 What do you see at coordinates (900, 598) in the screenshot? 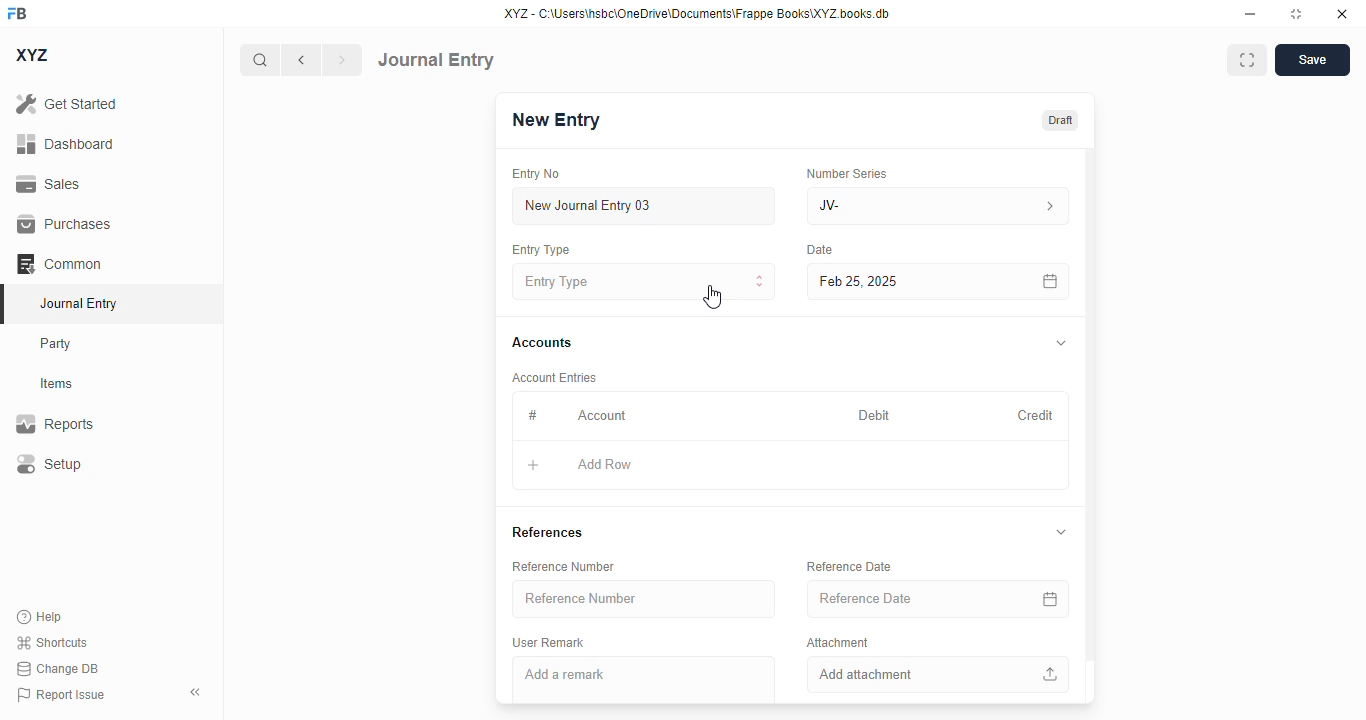
I see `reference date` at bounding box center [900, 598].